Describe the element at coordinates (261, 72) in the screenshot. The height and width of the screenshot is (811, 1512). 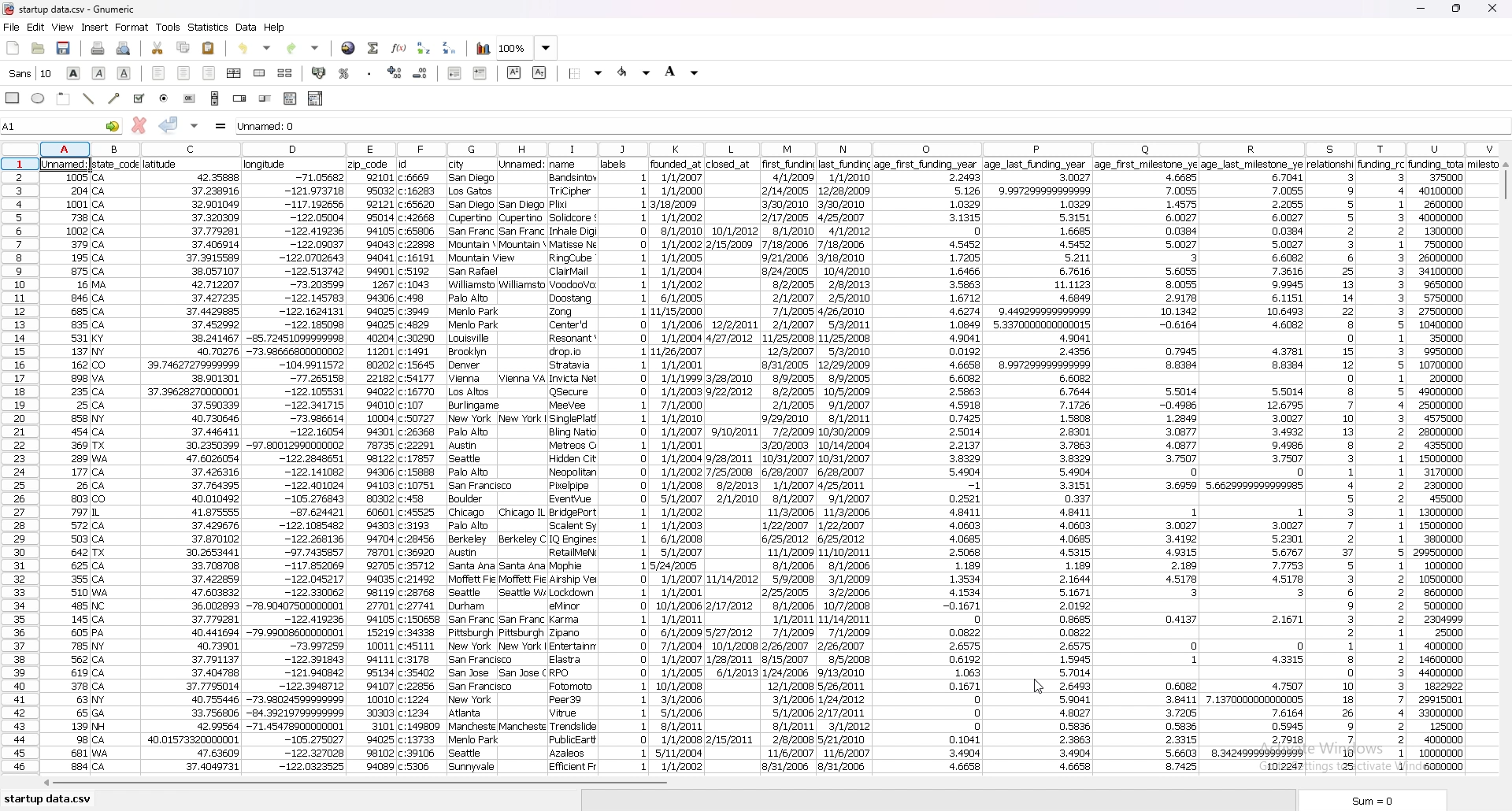
I see `merge cells` at that location.